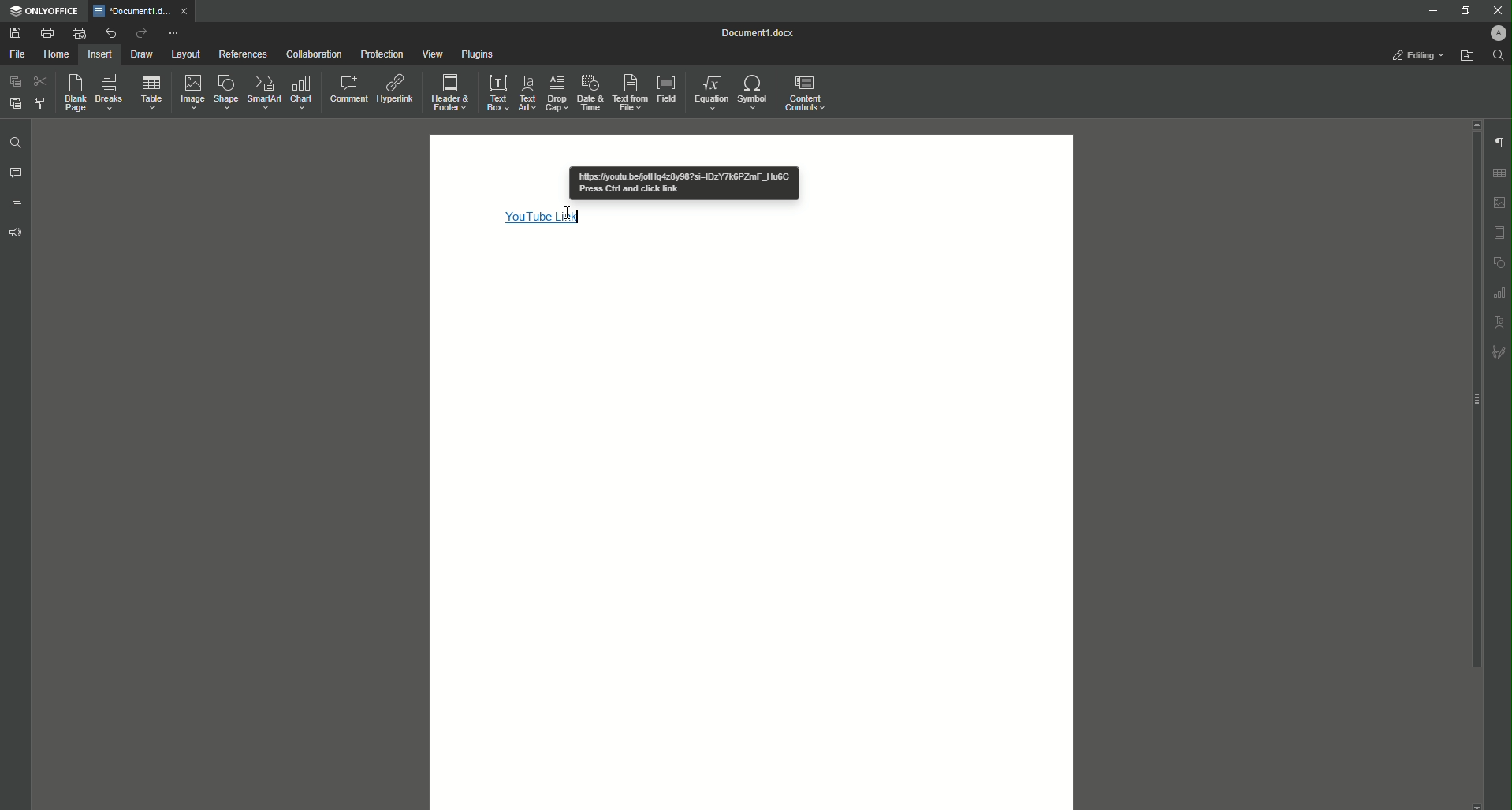  I want to click on Content Controls, so click(808, 93).